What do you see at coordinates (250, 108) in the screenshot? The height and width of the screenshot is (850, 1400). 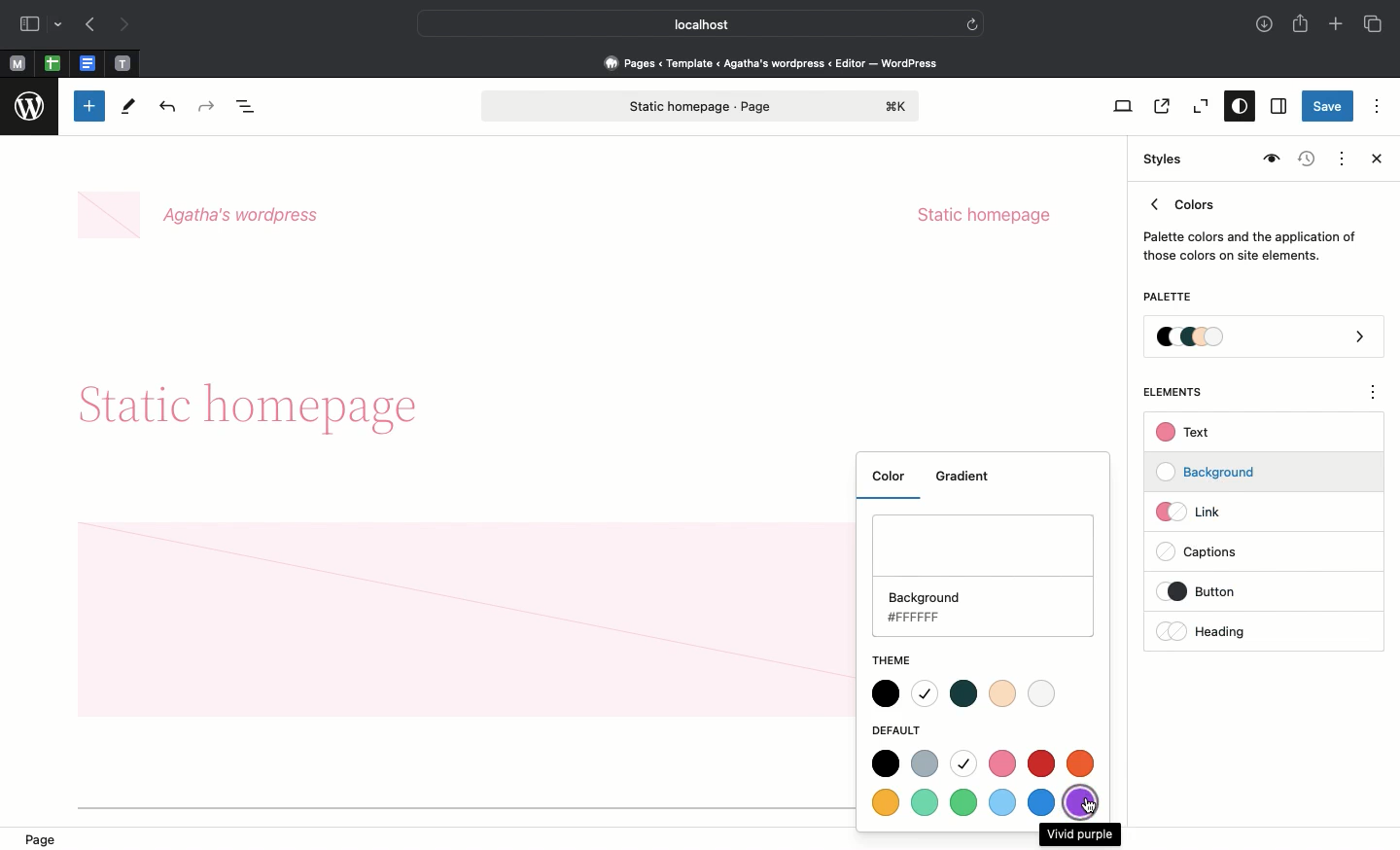 I see `Document overview` at bounding box center [250, 108].